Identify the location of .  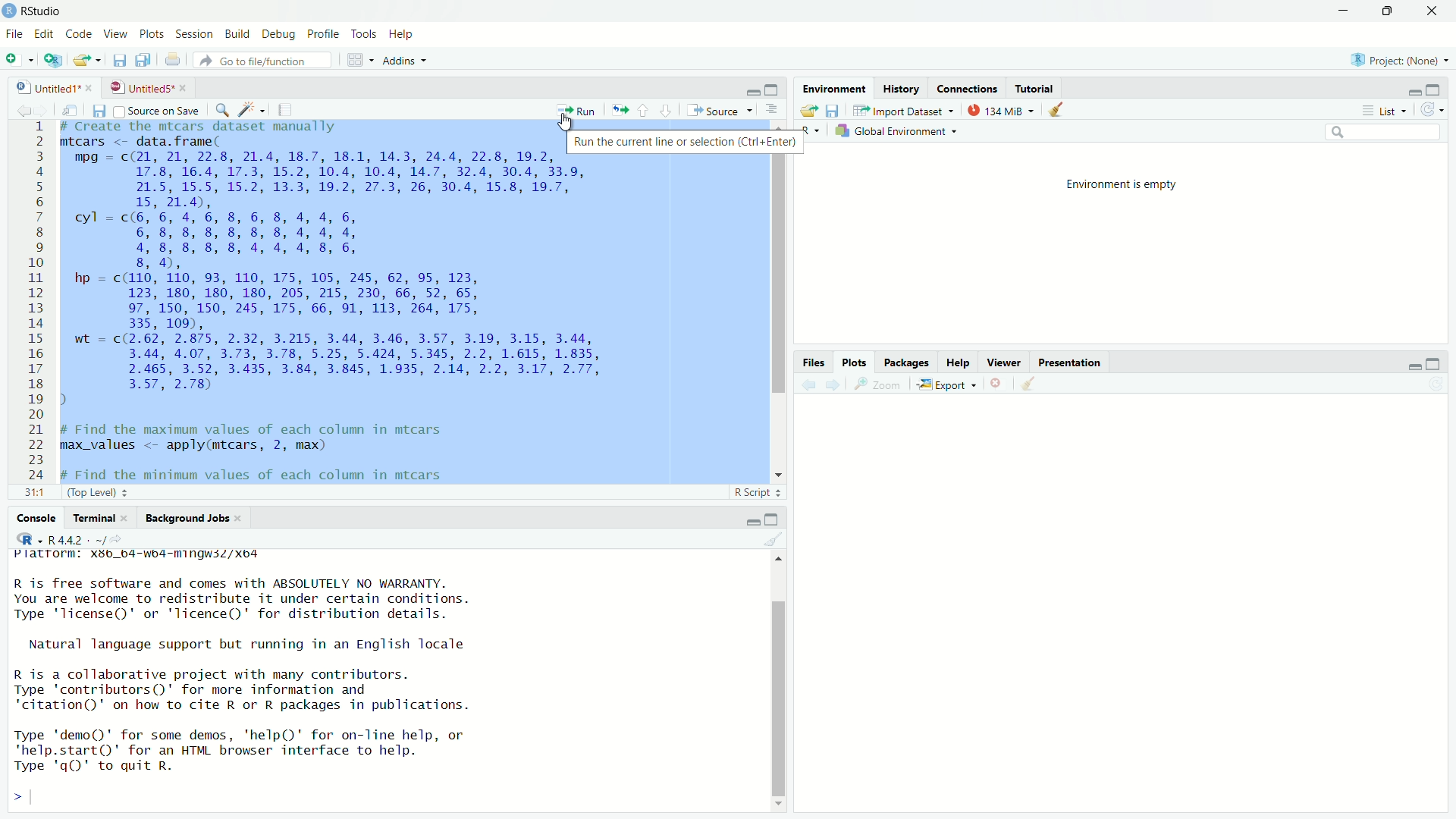
(808, 362).